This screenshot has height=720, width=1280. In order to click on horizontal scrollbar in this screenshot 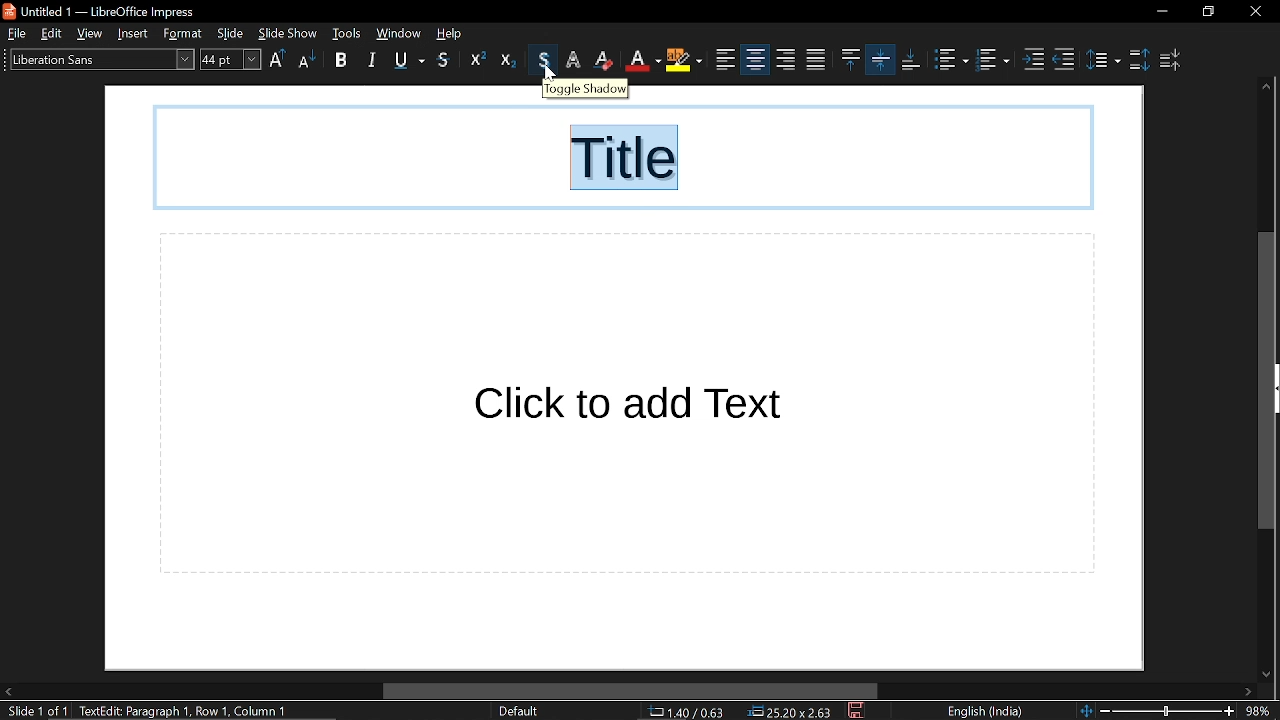, I will do `click(630, 692)`.